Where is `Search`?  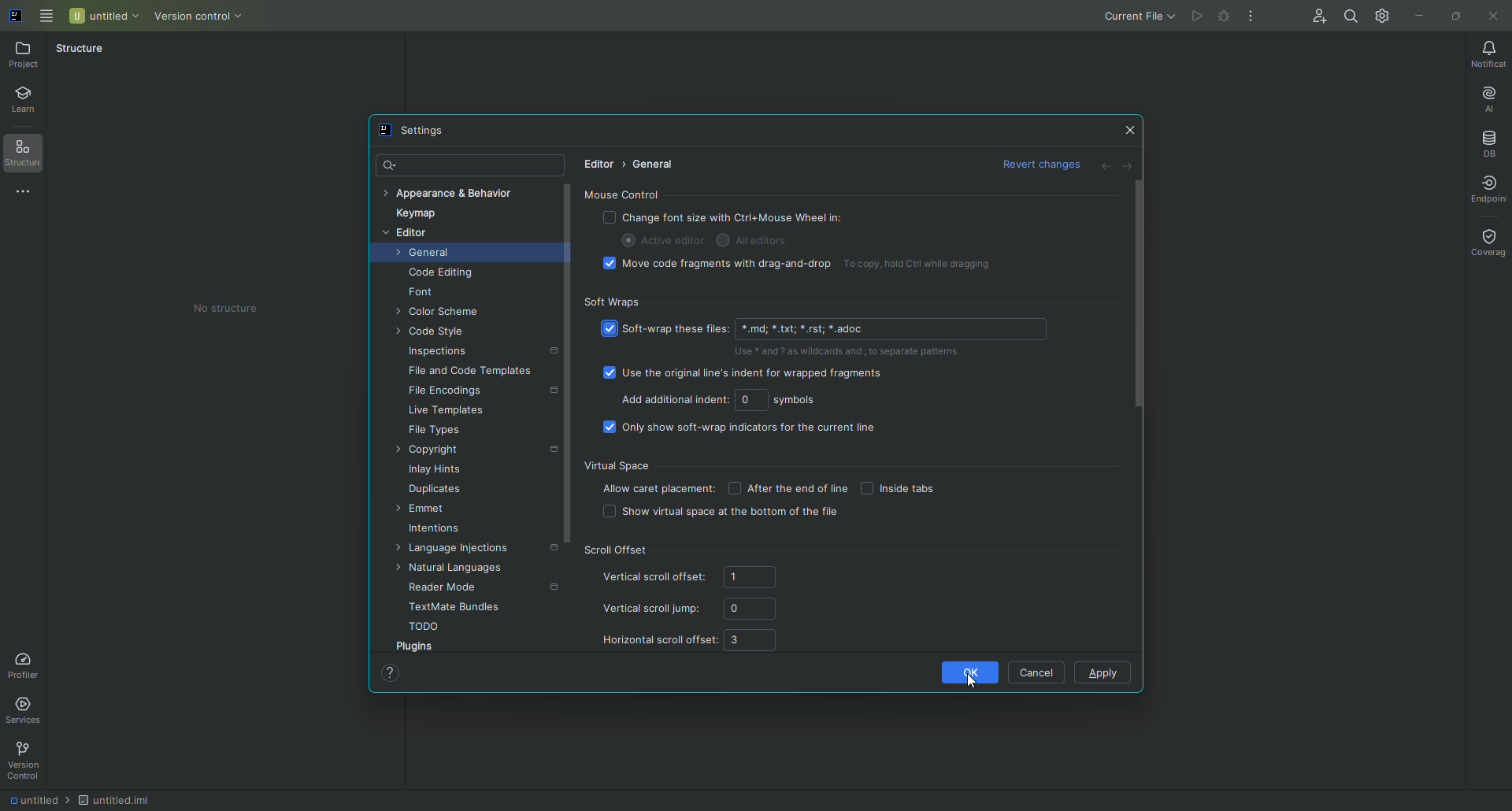
Search is located at coordinates (387, 162).